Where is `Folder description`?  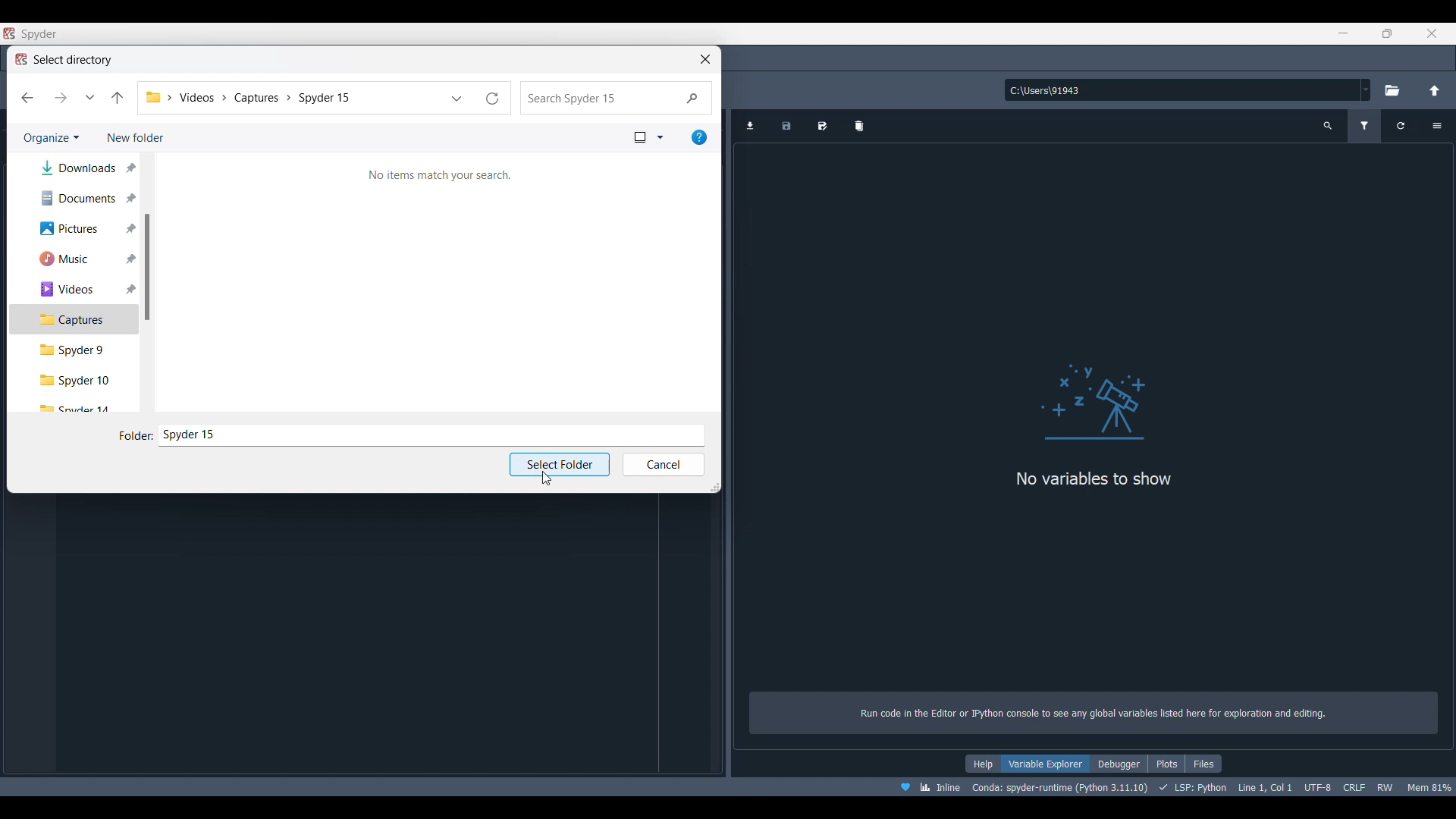
Folder description is located at coordinates (438, 177).